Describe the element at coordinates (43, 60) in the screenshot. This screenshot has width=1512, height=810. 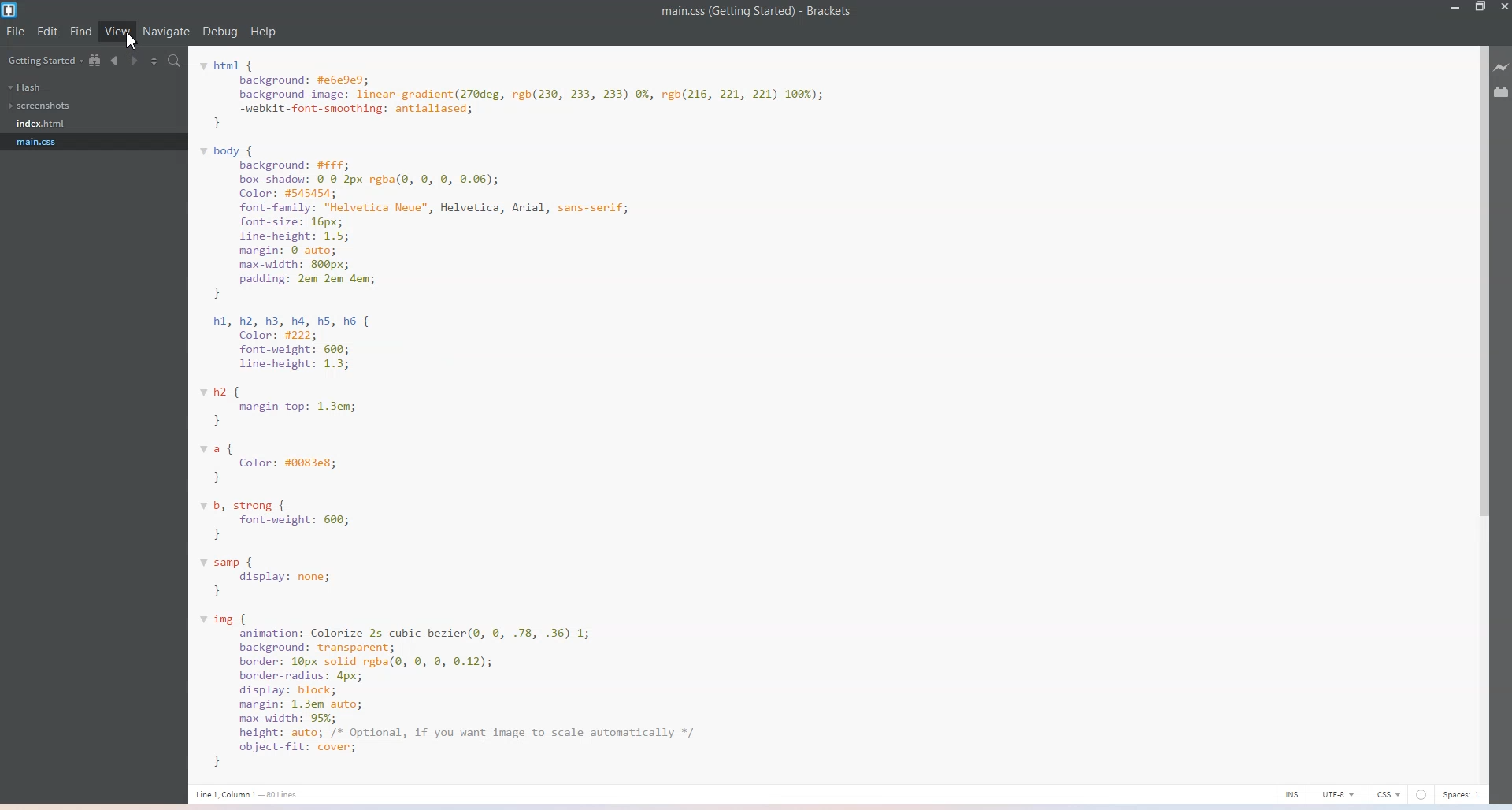
I see `Getting Started` at that location.